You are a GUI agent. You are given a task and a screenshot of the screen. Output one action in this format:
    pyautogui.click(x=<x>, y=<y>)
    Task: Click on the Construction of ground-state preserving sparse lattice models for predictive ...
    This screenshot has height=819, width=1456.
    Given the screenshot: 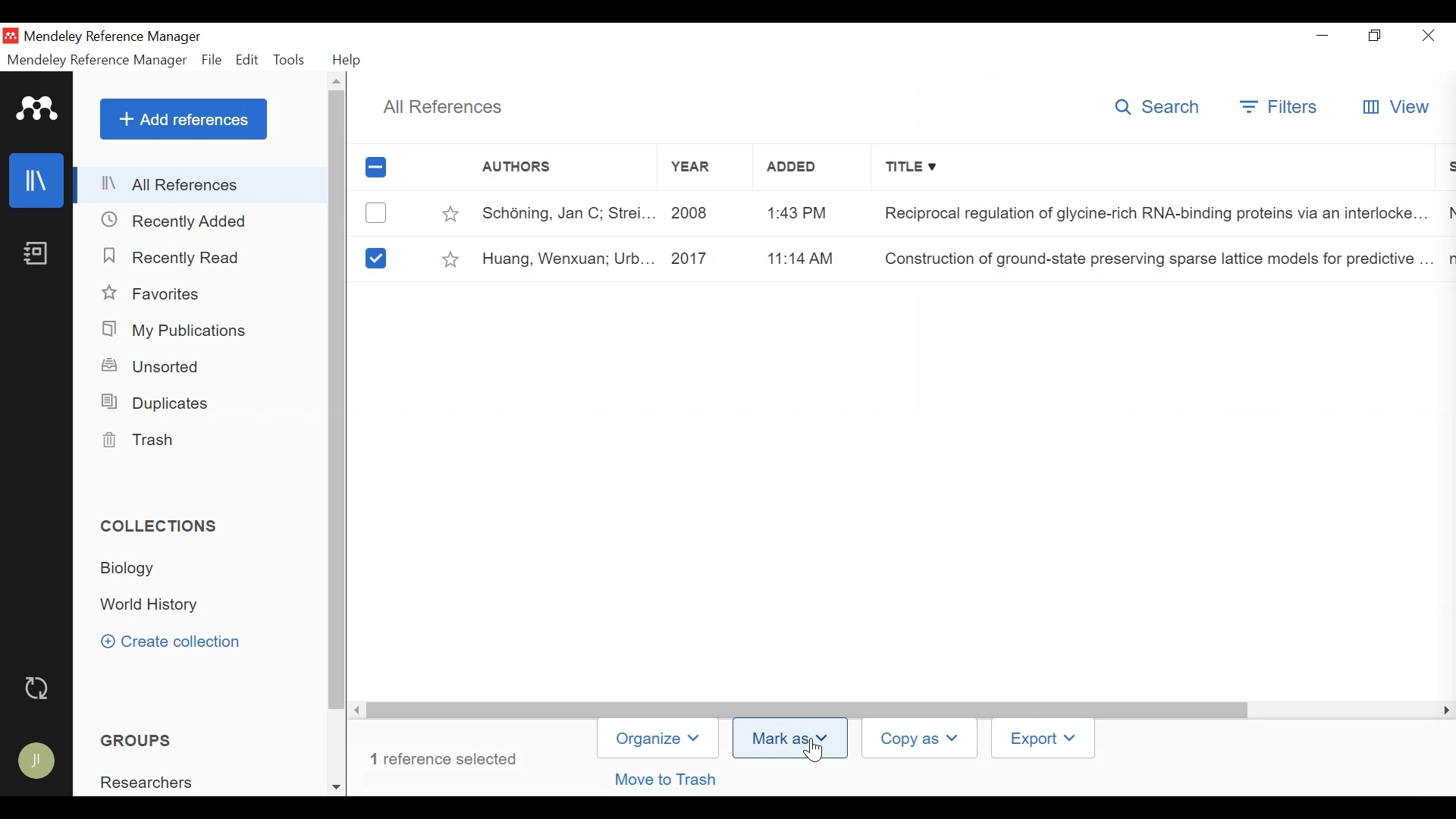 What is the action you would take?
    pyautogui.click(x=1150, y=262)
    